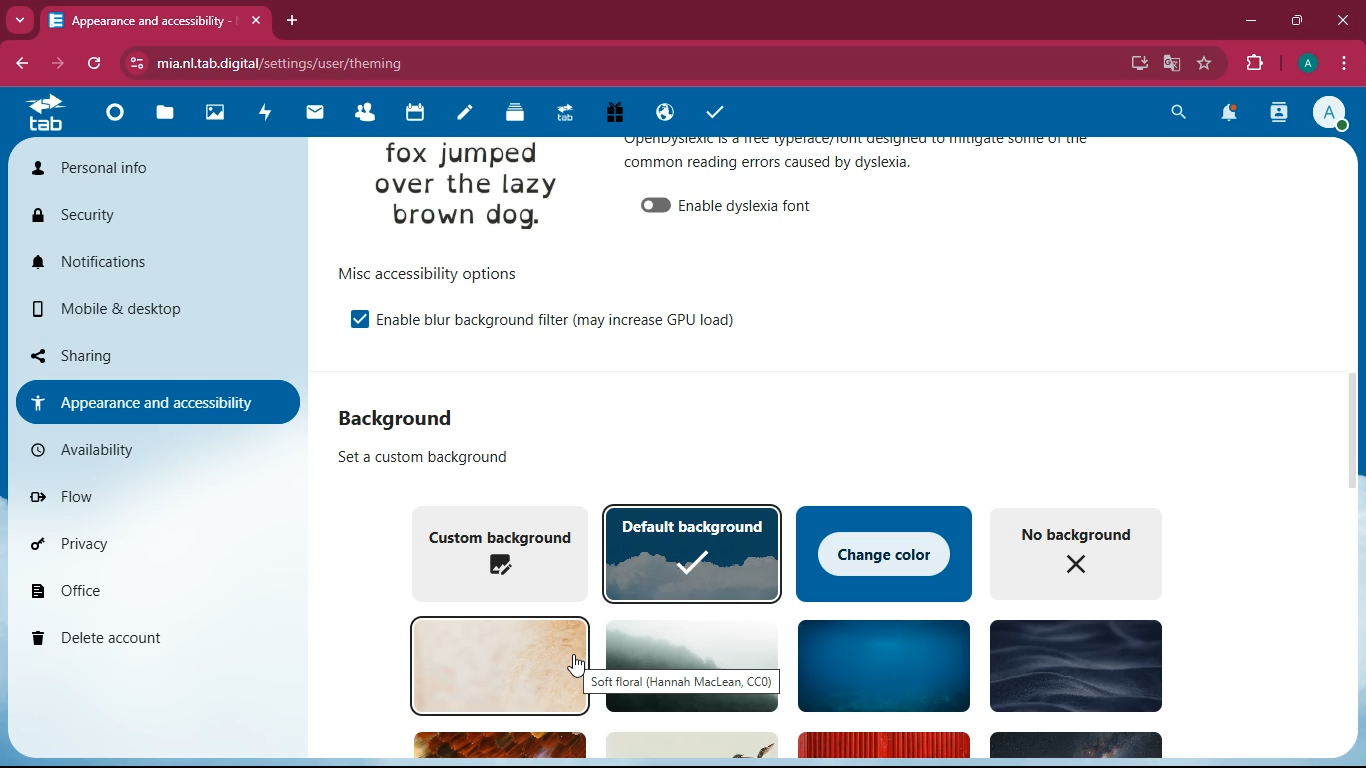 This screenshot has width=1366, height=768. What do you see at coordinates (1355, 415) in the screenshot?
I see `scroll bar` at bounding box center [1355, 415].